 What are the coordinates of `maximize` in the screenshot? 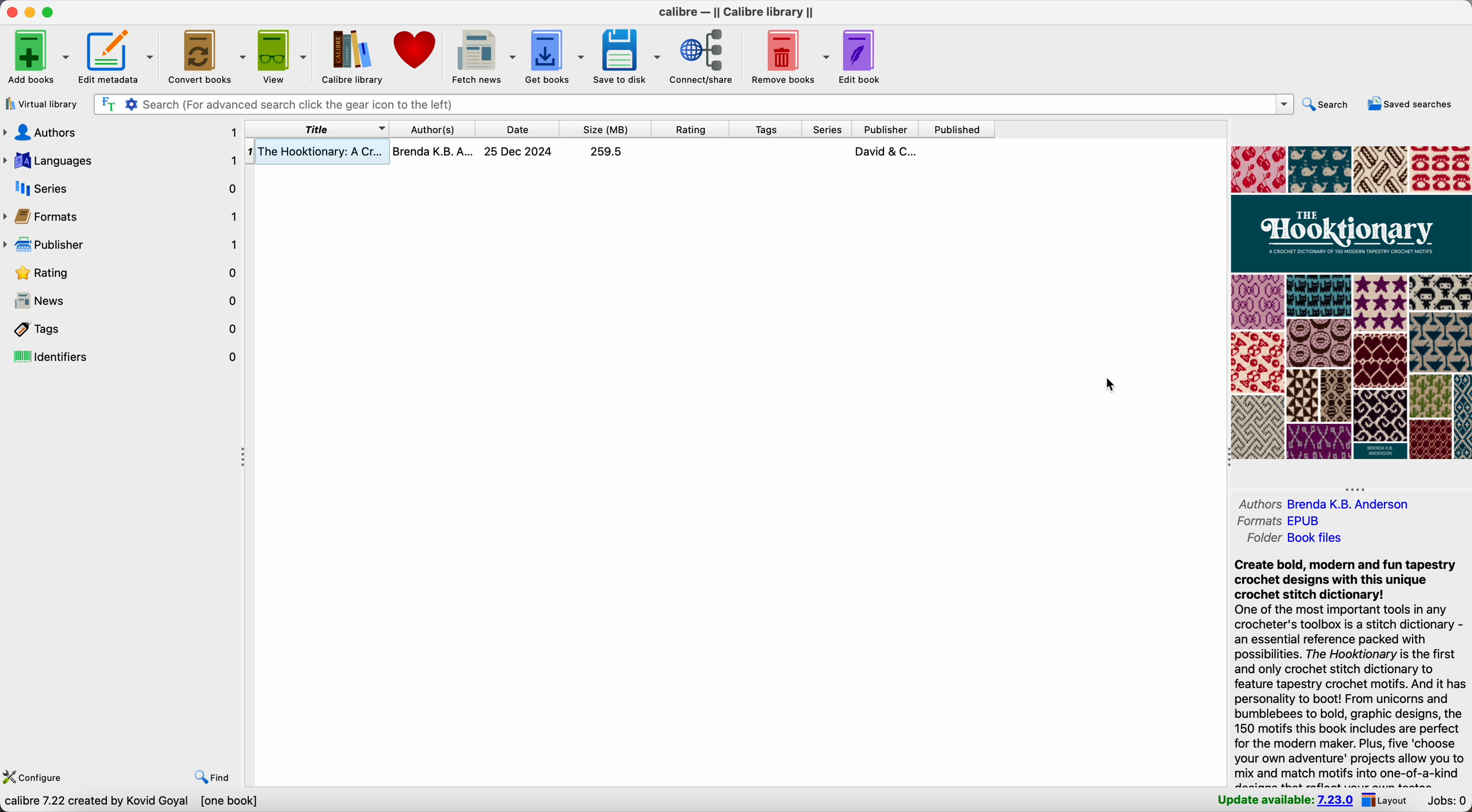 It's located at (49, 12).